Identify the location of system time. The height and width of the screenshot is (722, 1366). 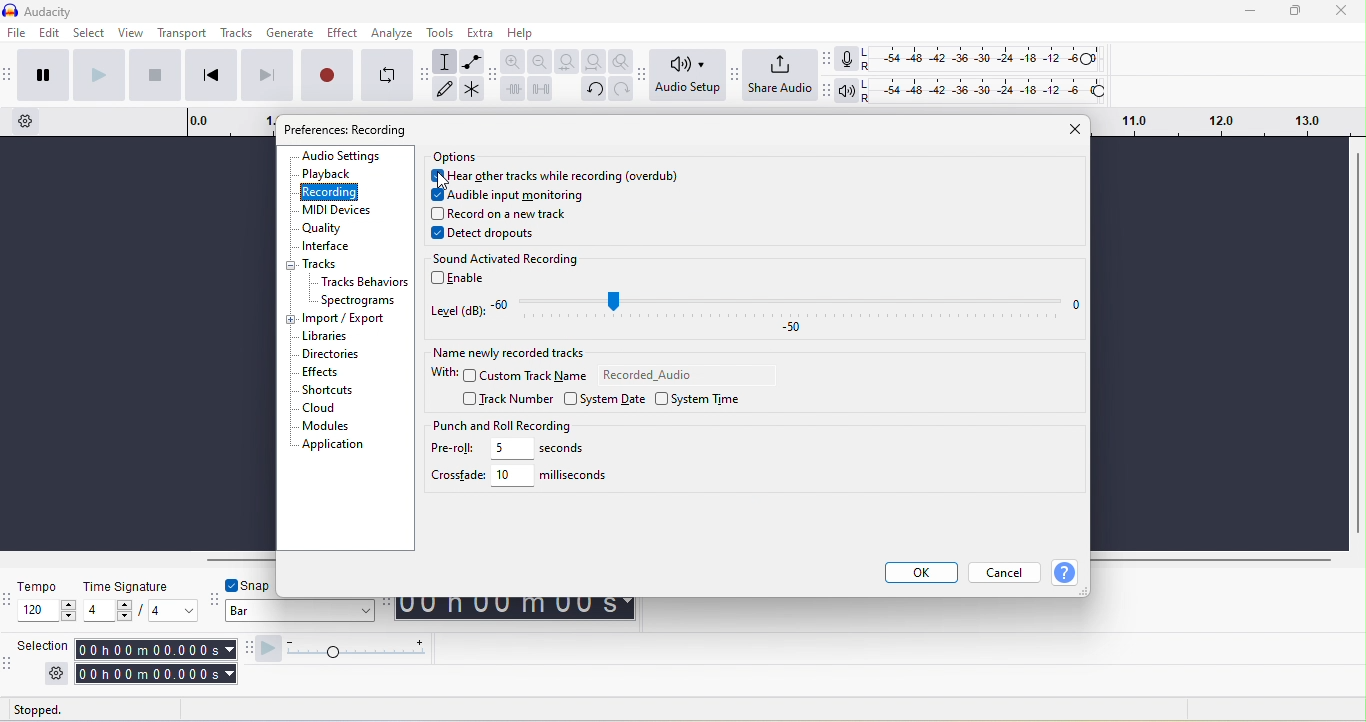
(701, 399).